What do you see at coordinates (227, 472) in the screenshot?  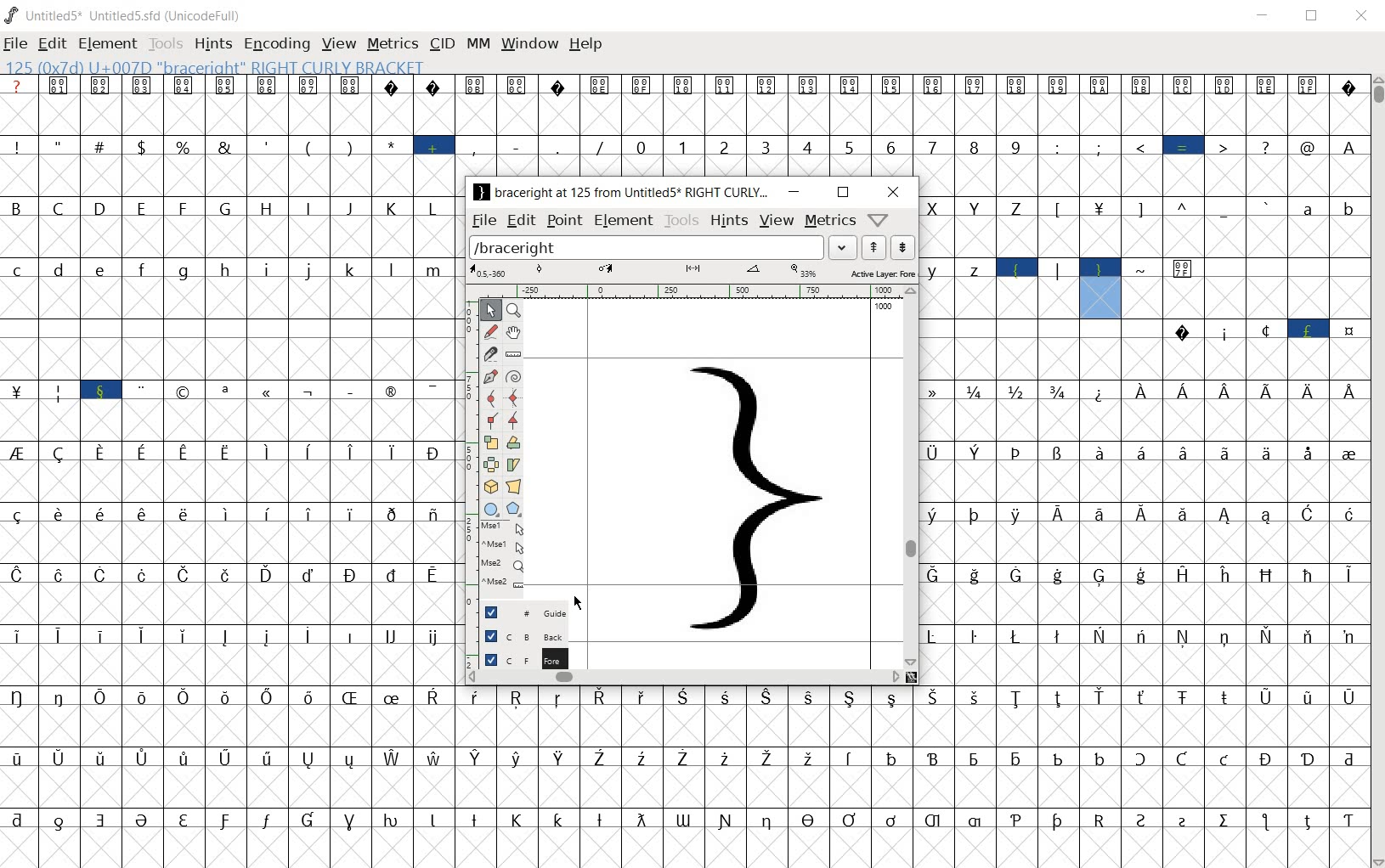 I see `glyph characters` at bounding box center [227, 472].